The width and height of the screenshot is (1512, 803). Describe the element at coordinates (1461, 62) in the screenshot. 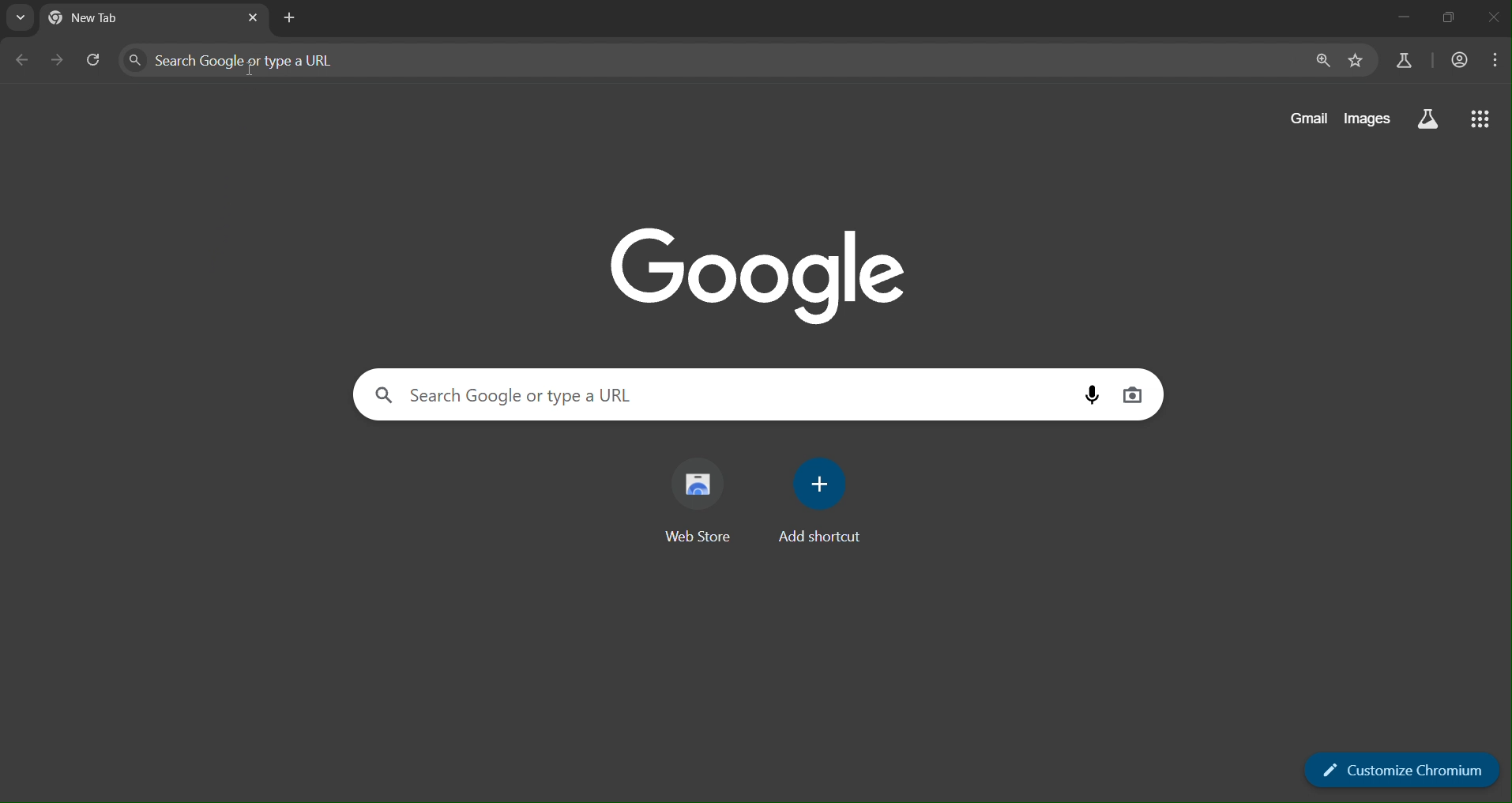

I see `account` at that location.